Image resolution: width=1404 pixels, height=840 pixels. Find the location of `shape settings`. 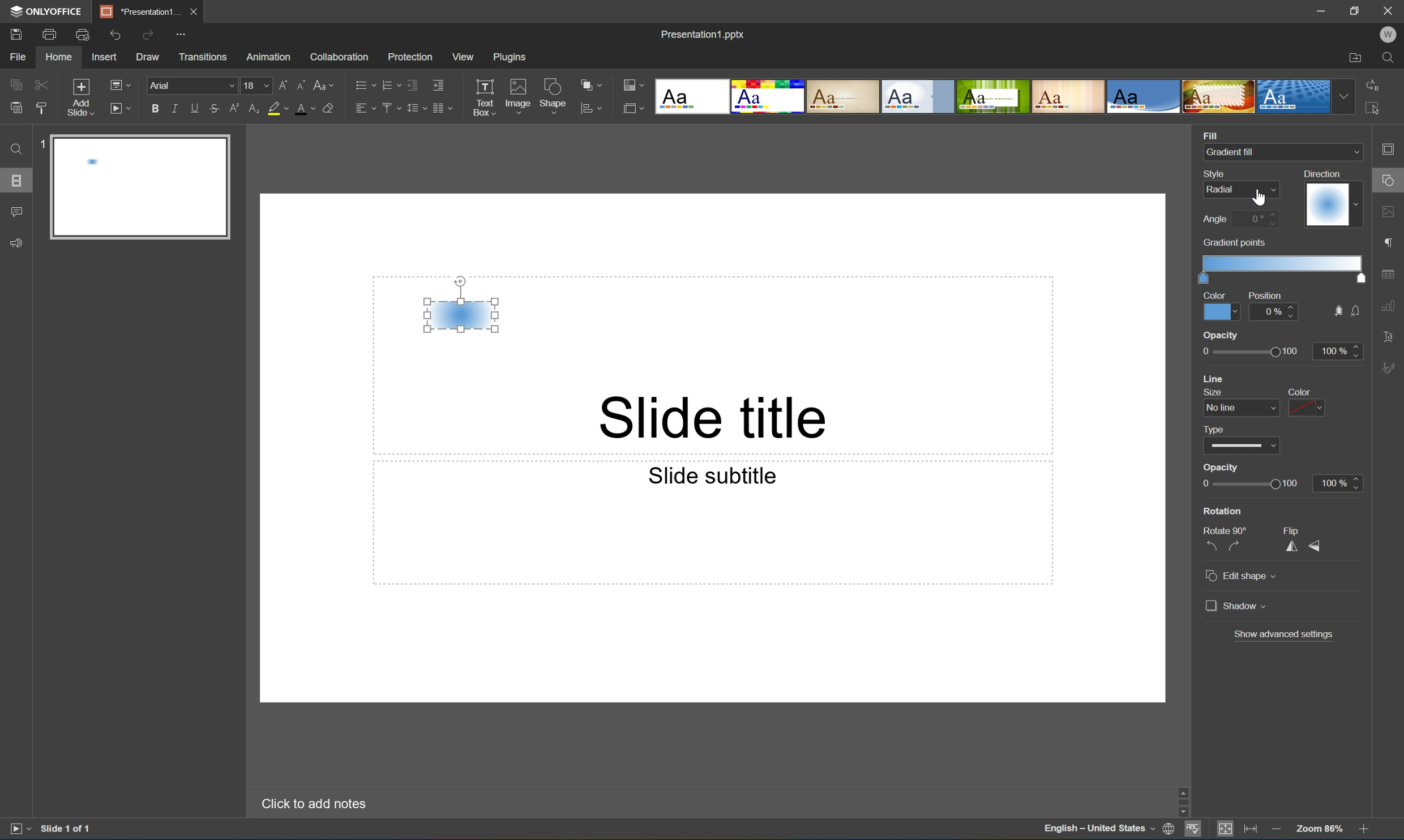

shape settings is located at coordinates (1390, 181).